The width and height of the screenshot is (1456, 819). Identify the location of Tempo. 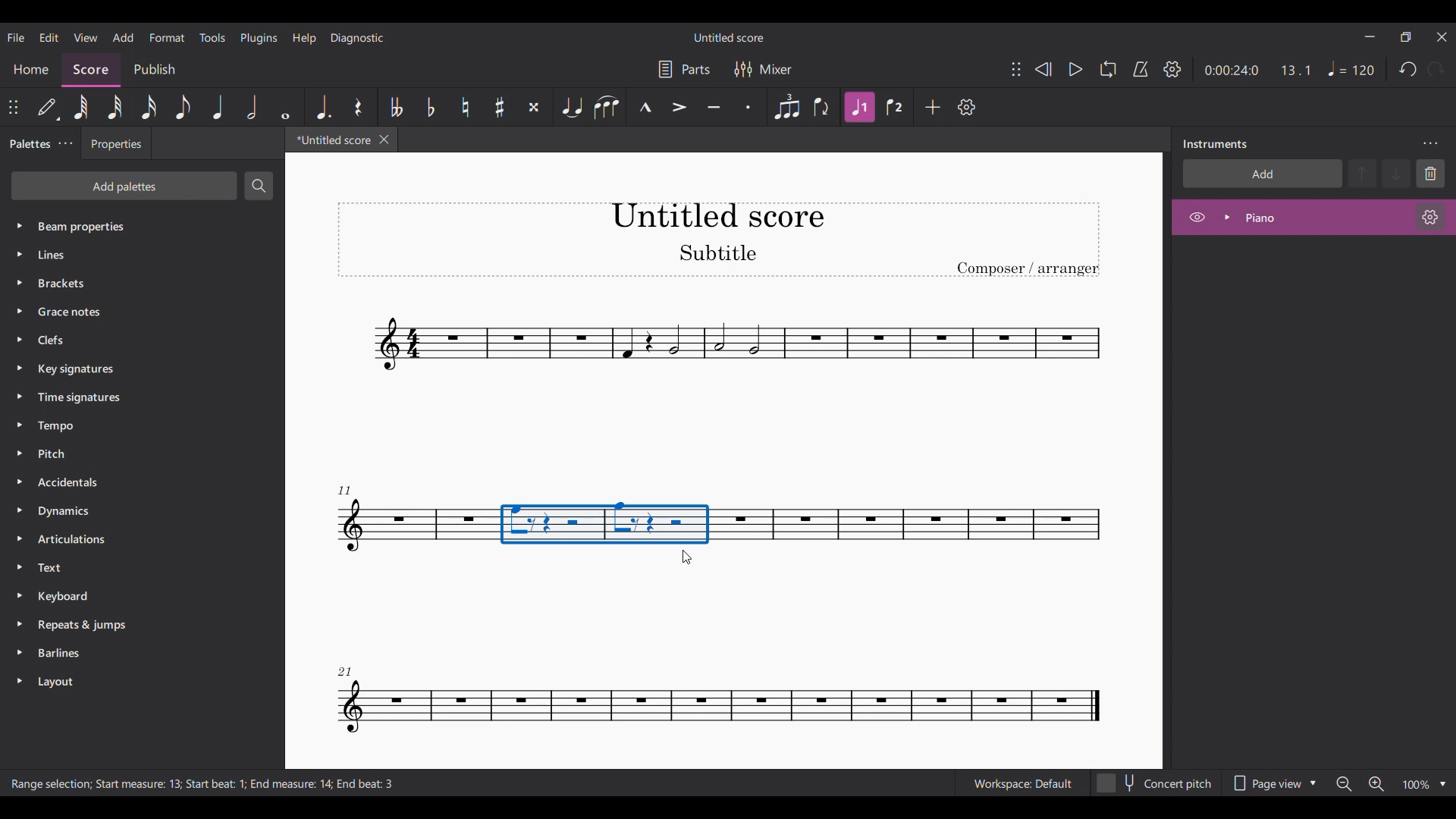
(136, 426).